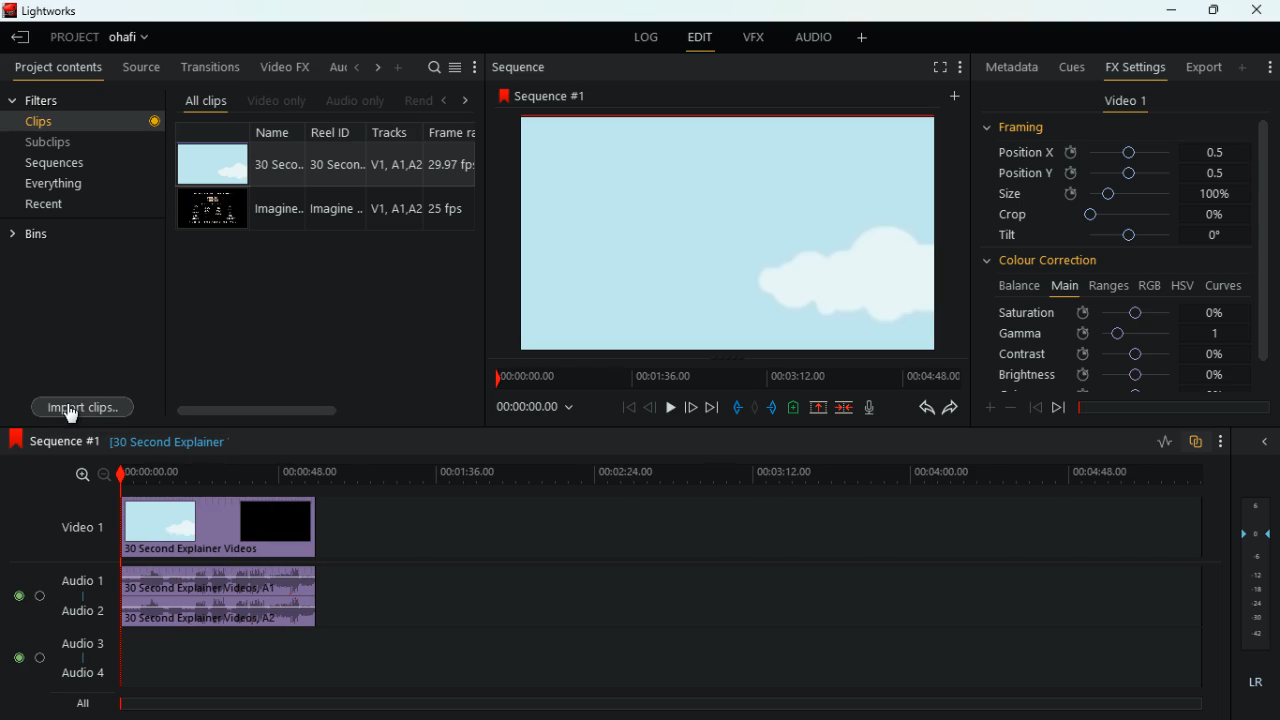 Image resolution: width=1280 pixels, height=720 pixels. I want to click on hsv, so click(1182, 285).